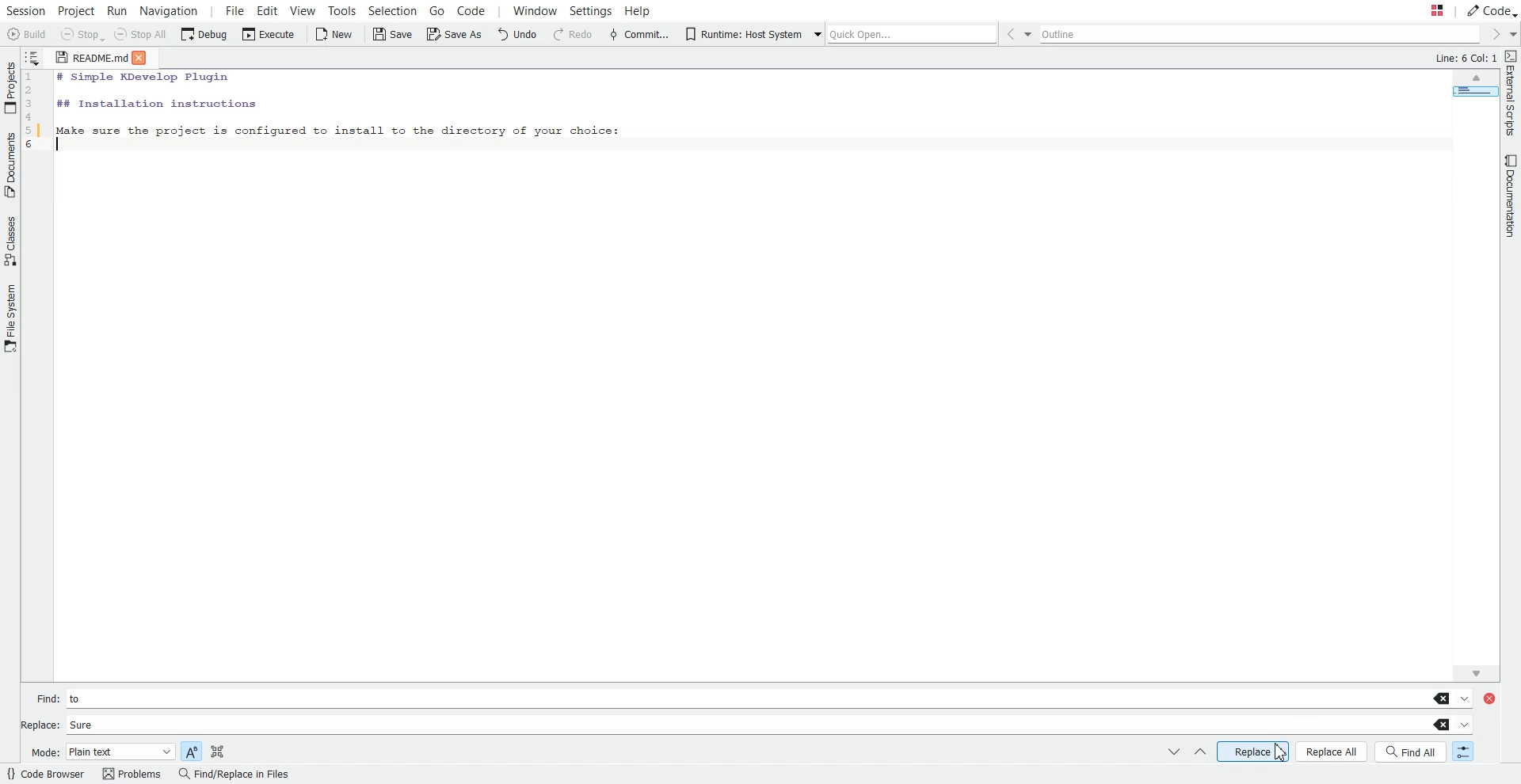 This screenshot has width=1521, height=784. I want to click on Runtime: Host System, so click(742, 34).